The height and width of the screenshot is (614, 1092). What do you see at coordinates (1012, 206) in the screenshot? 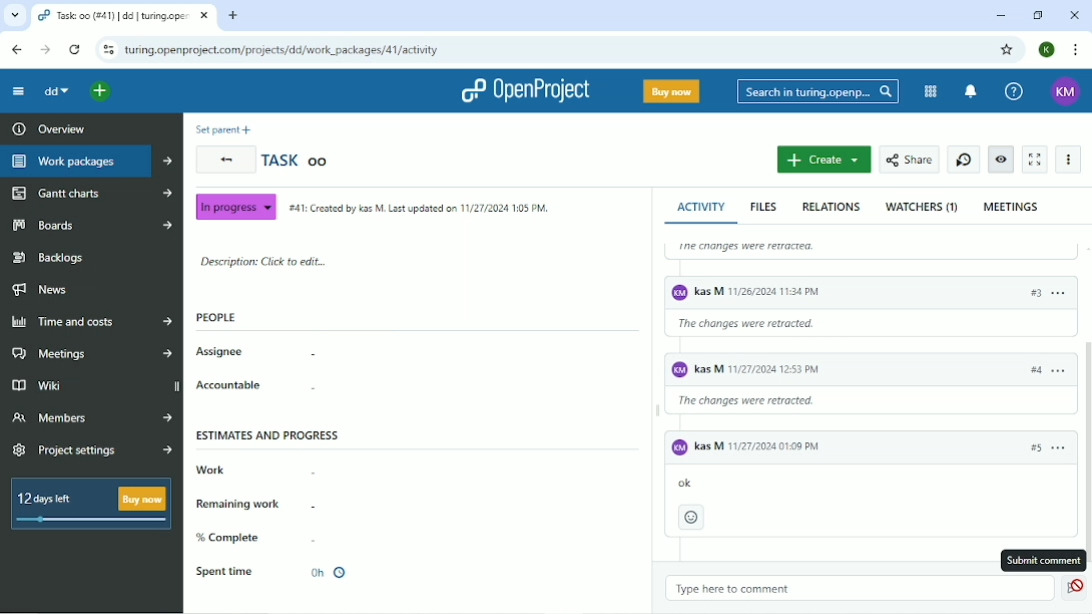
I see `Meetings` at bounding box center [1012, 206].